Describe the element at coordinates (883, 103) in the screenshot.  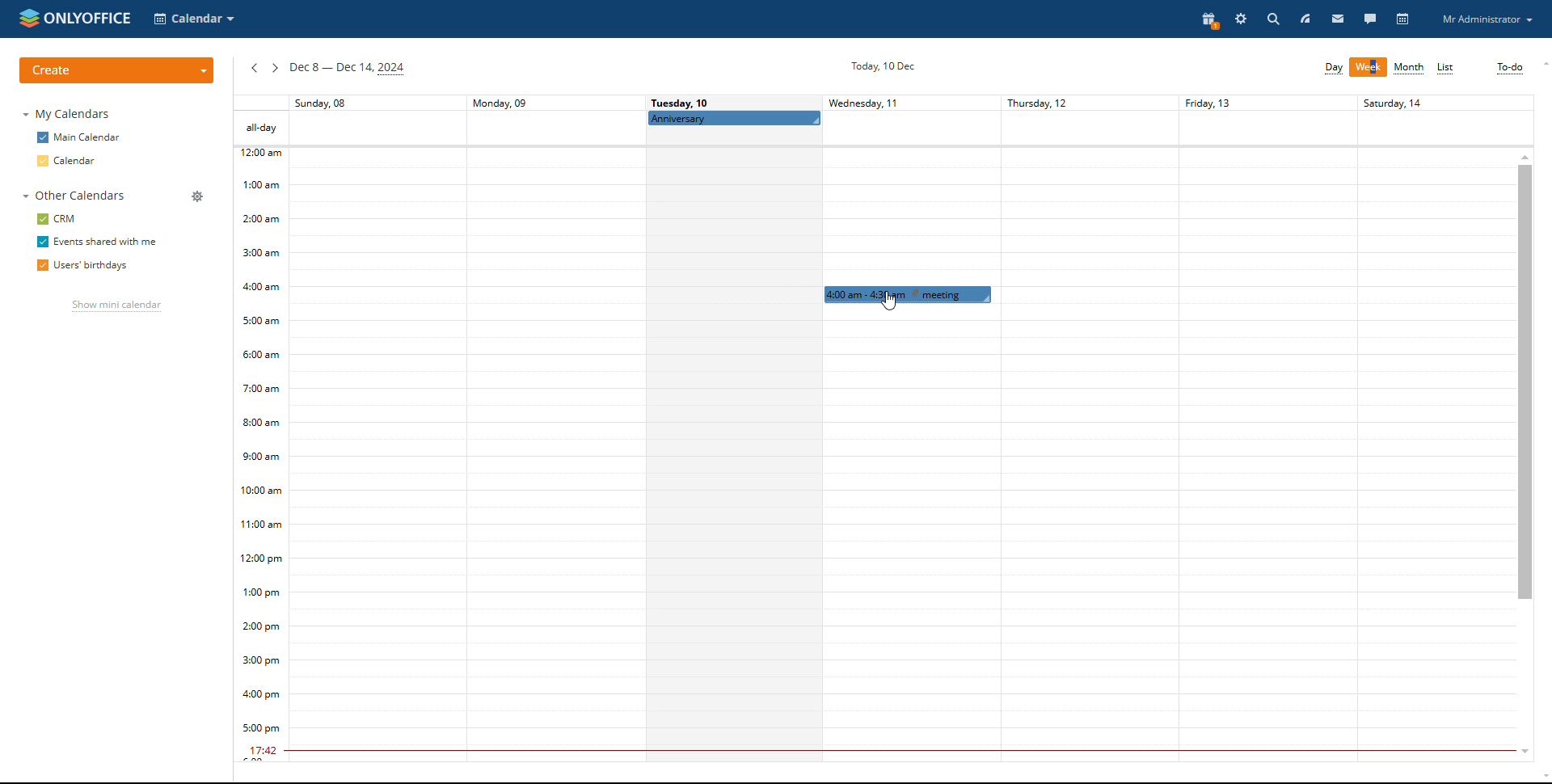
I see `days` at that location.